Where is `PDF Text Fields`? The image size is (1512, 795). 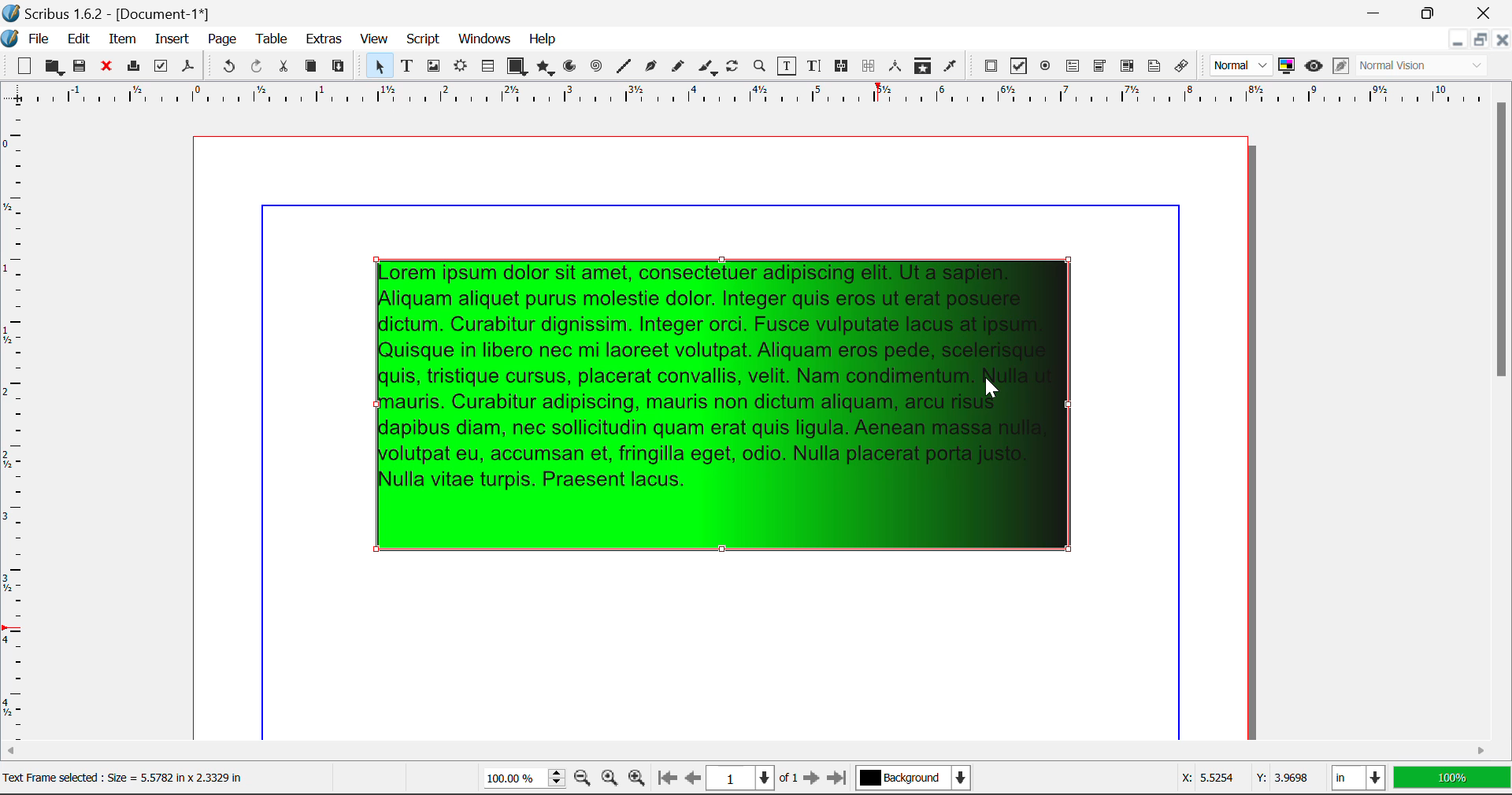
PDF Text Fields is located at coordinates (1073, 66).